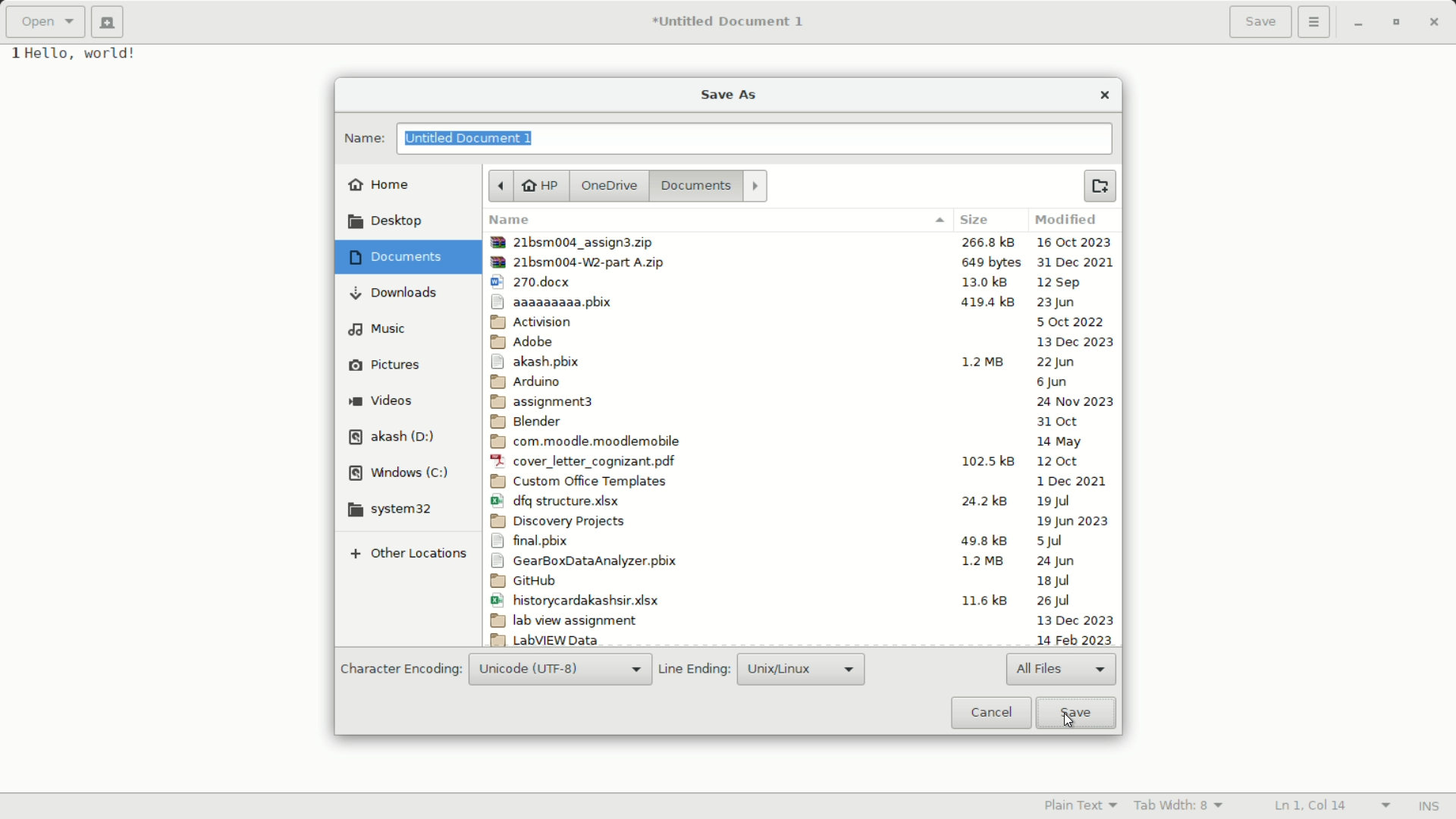 The image size is (1456, 819). I want to click on pictures, so click(384, 365).